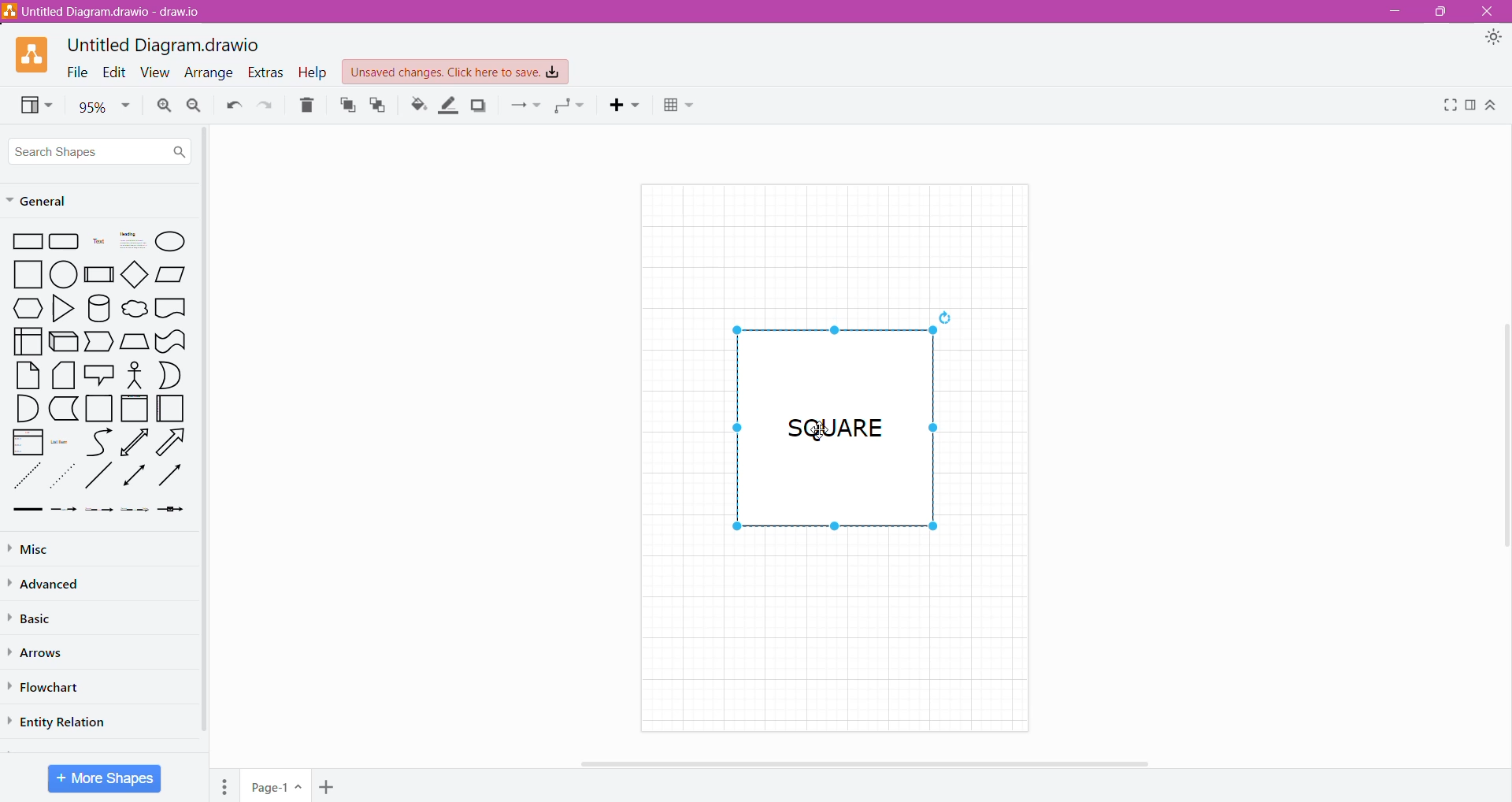 The width and height of the screenshot is (1512, 802). I want to click on Delete, so click(307, 106).